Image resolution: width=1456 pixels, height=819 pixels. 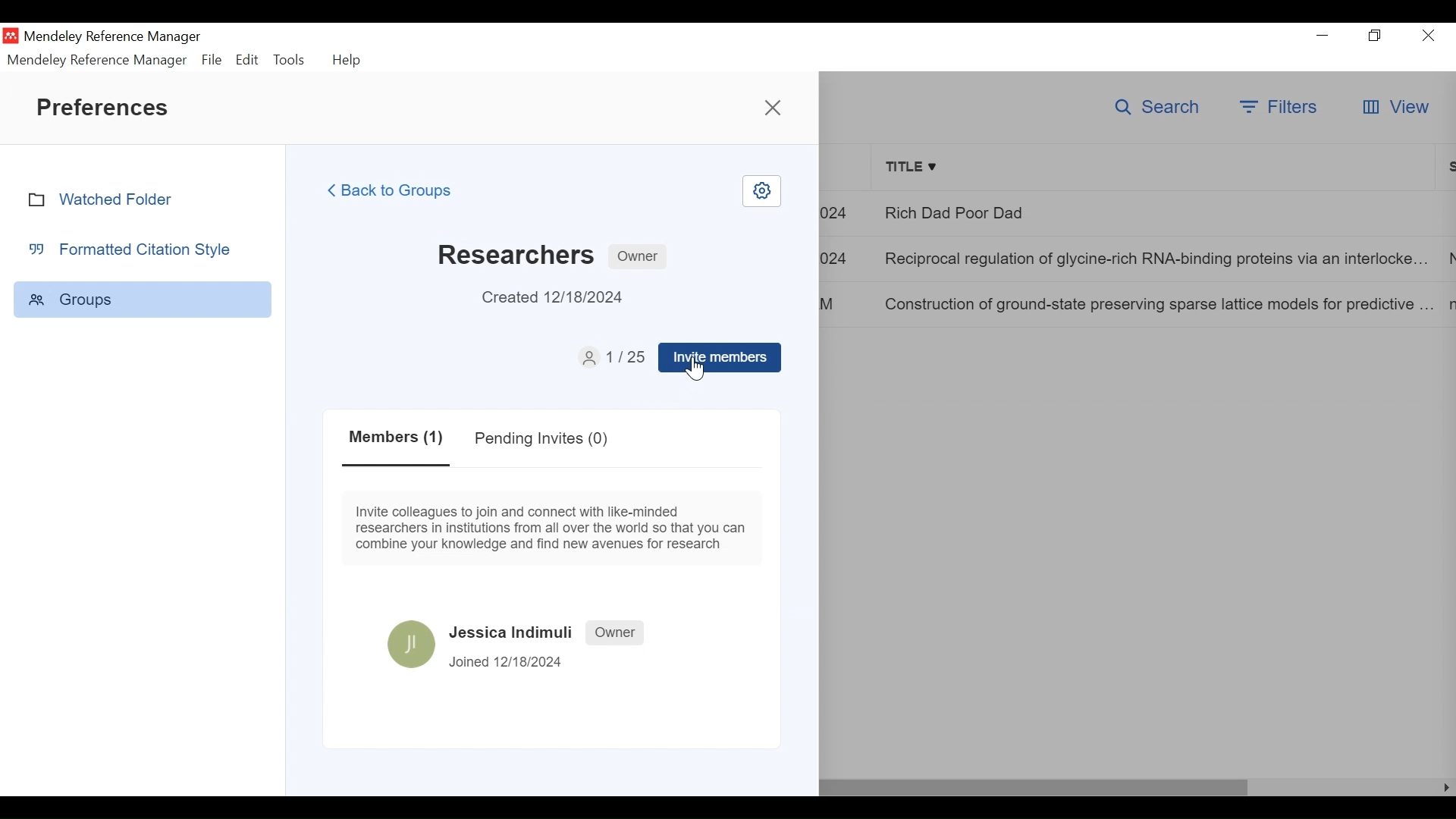 What do you see at coordinates (638, 257) in the screenshot?
I see `Owner` at bounding box center [638, 257].